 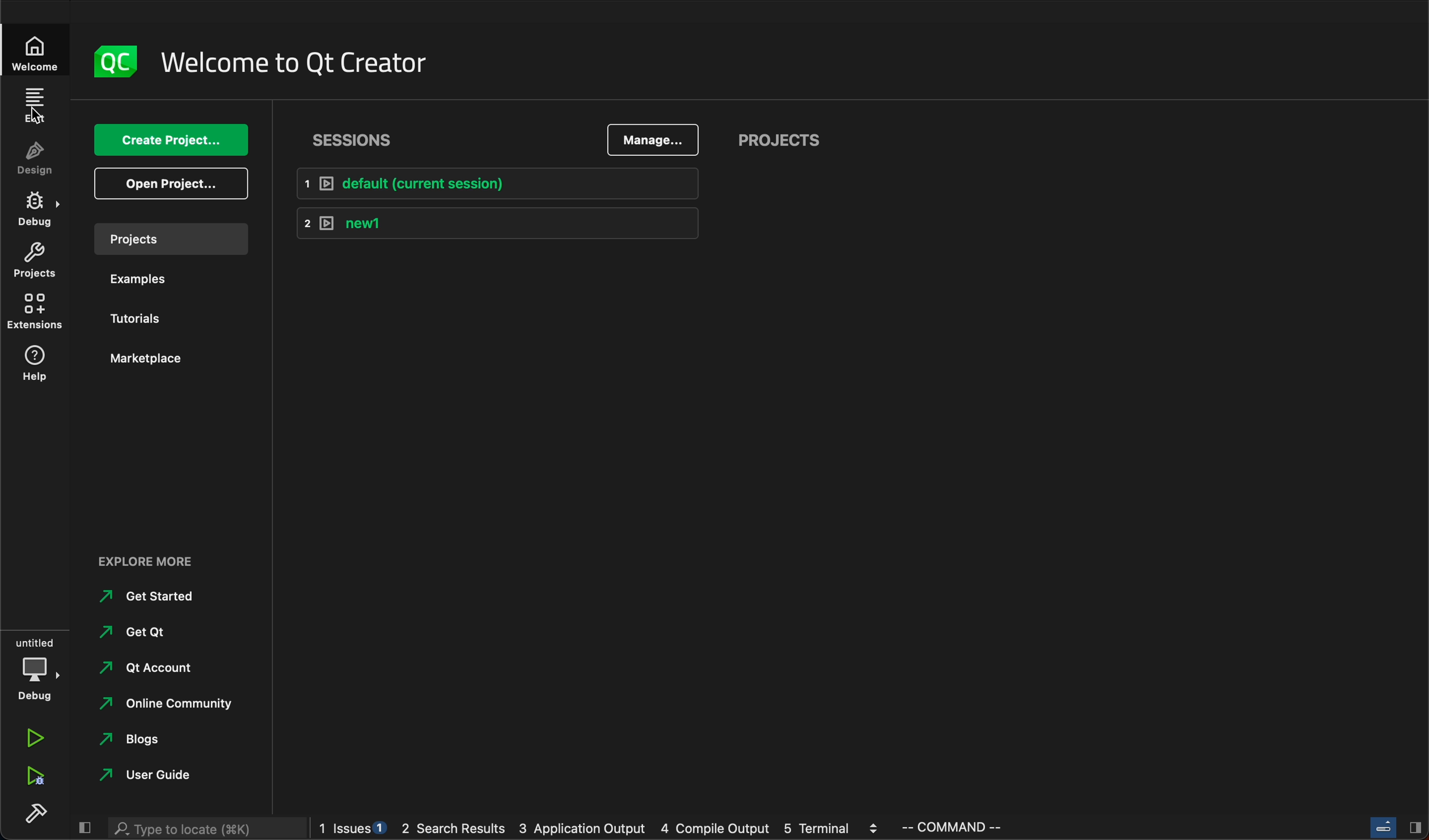 What do you see at coordinates (495, 226) in the screenshot?
I see `new1` at bounding box center [495, 226].